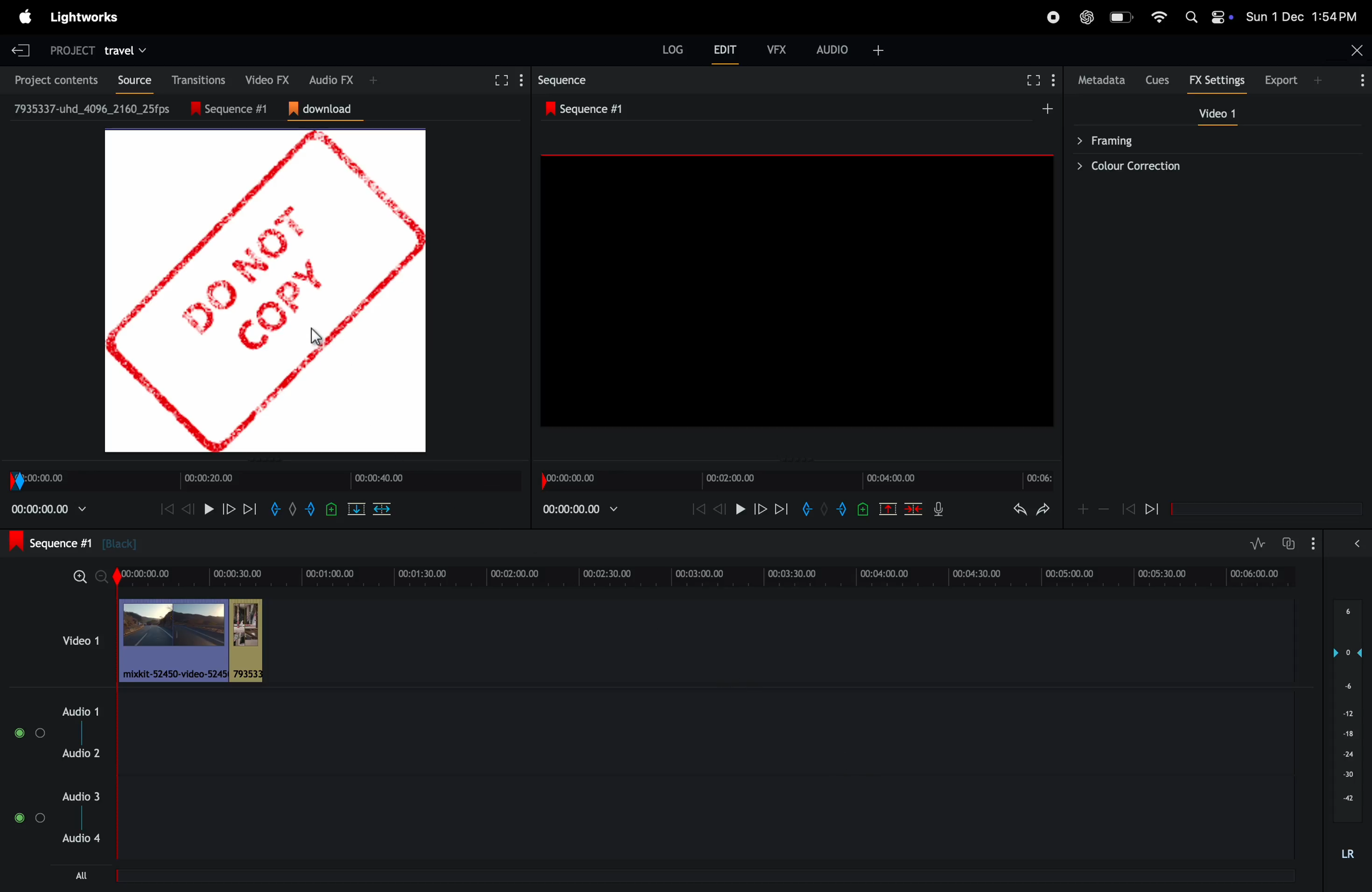 This screenshot has height=892, width=1372. I want to click on framing, so click(1209, 139).